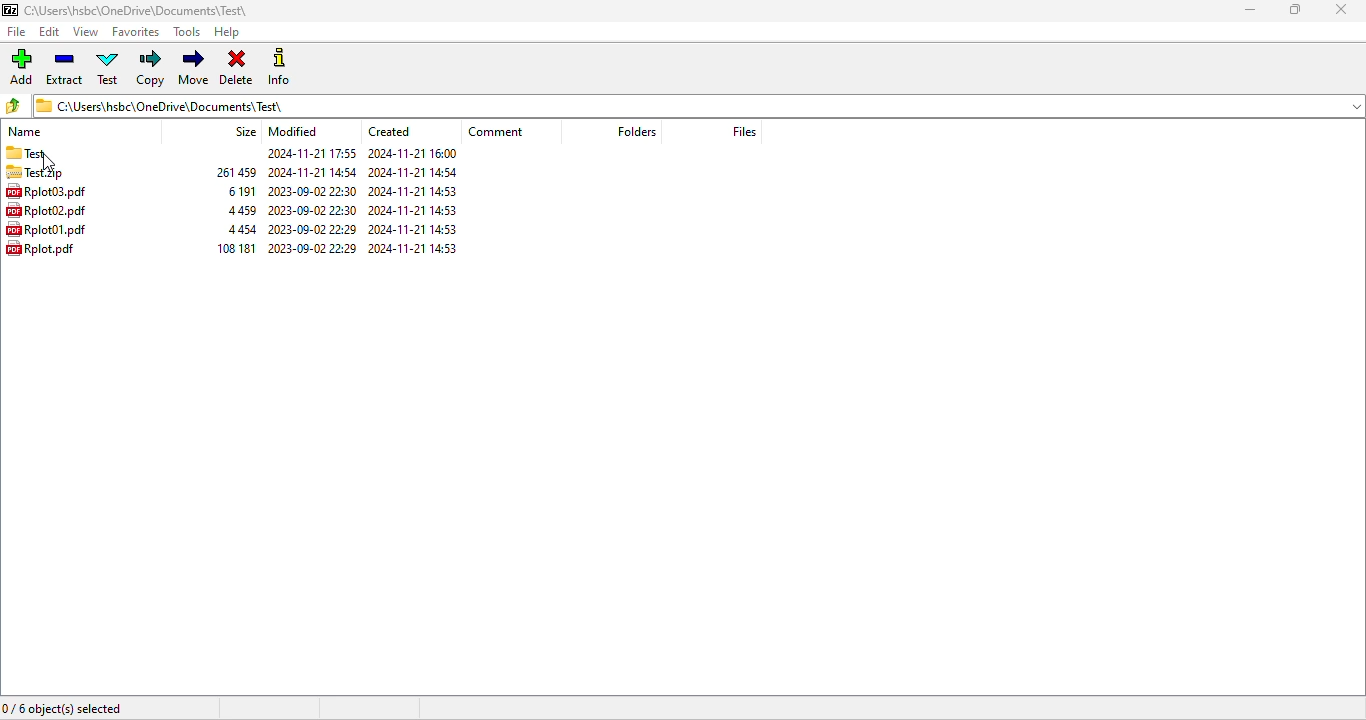  Describe the element at coordinates (418, 171) in the screenshot. I see `2024-11-21 14:54` at that location.